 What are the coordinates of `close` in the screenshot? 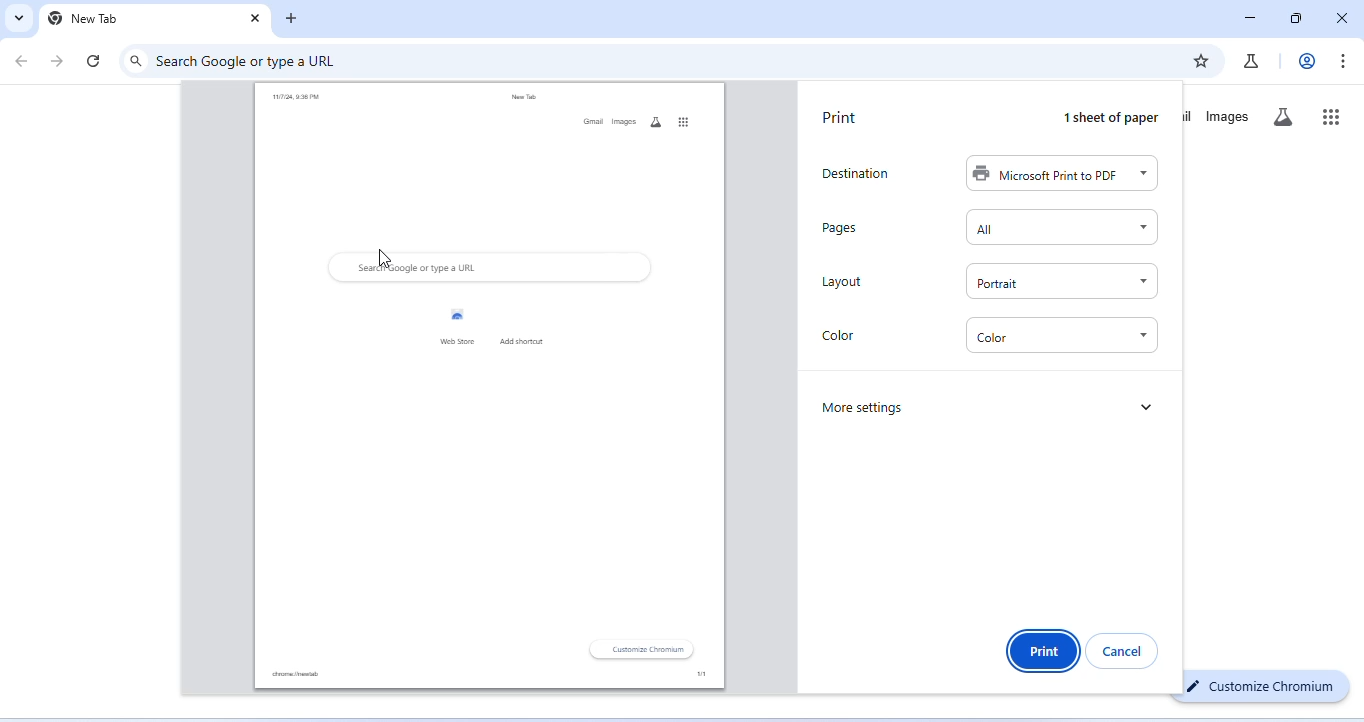 It's located at (252, 18).